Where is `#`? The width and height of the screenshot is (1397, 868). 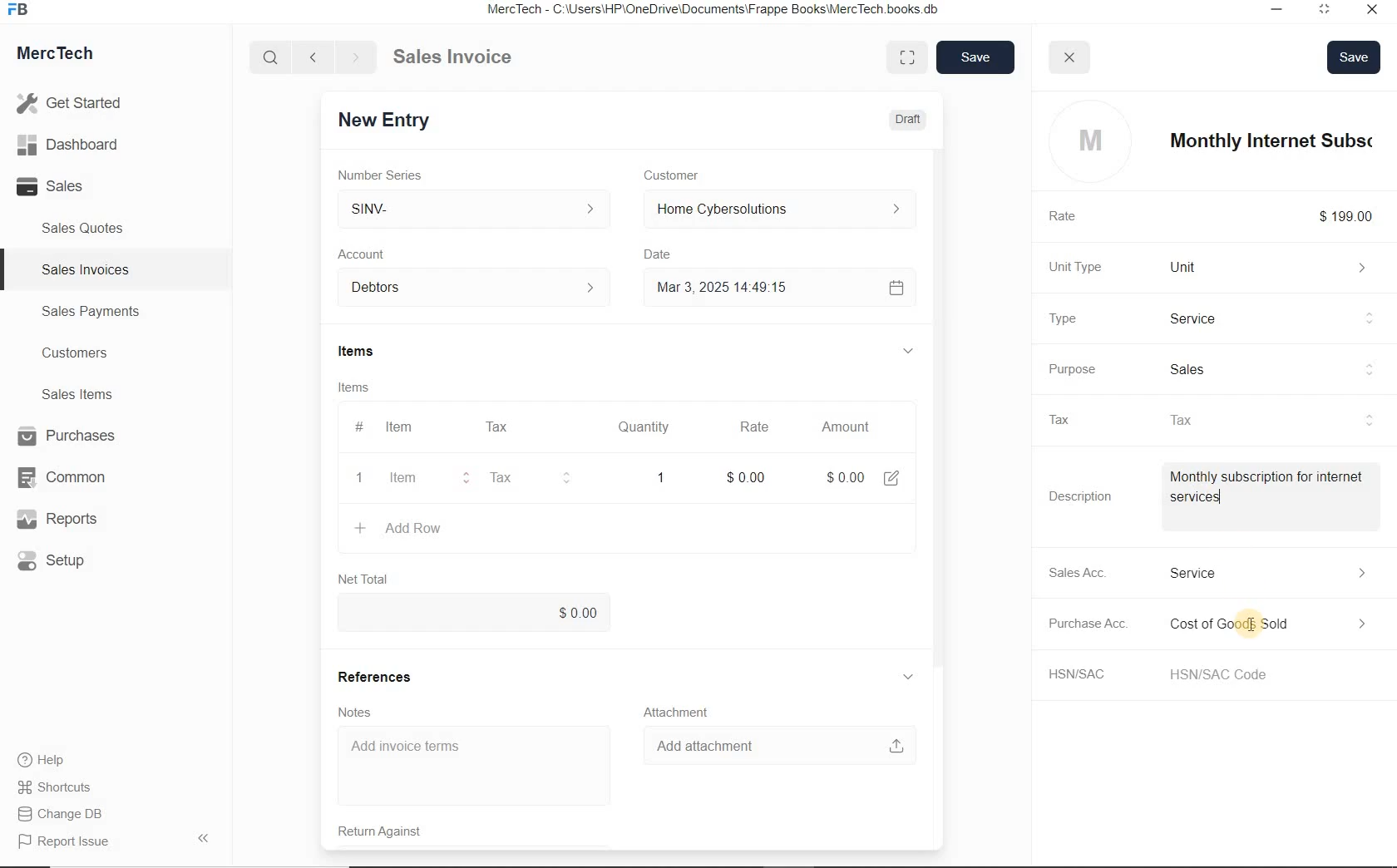
# is located at coordinates (540, 427).